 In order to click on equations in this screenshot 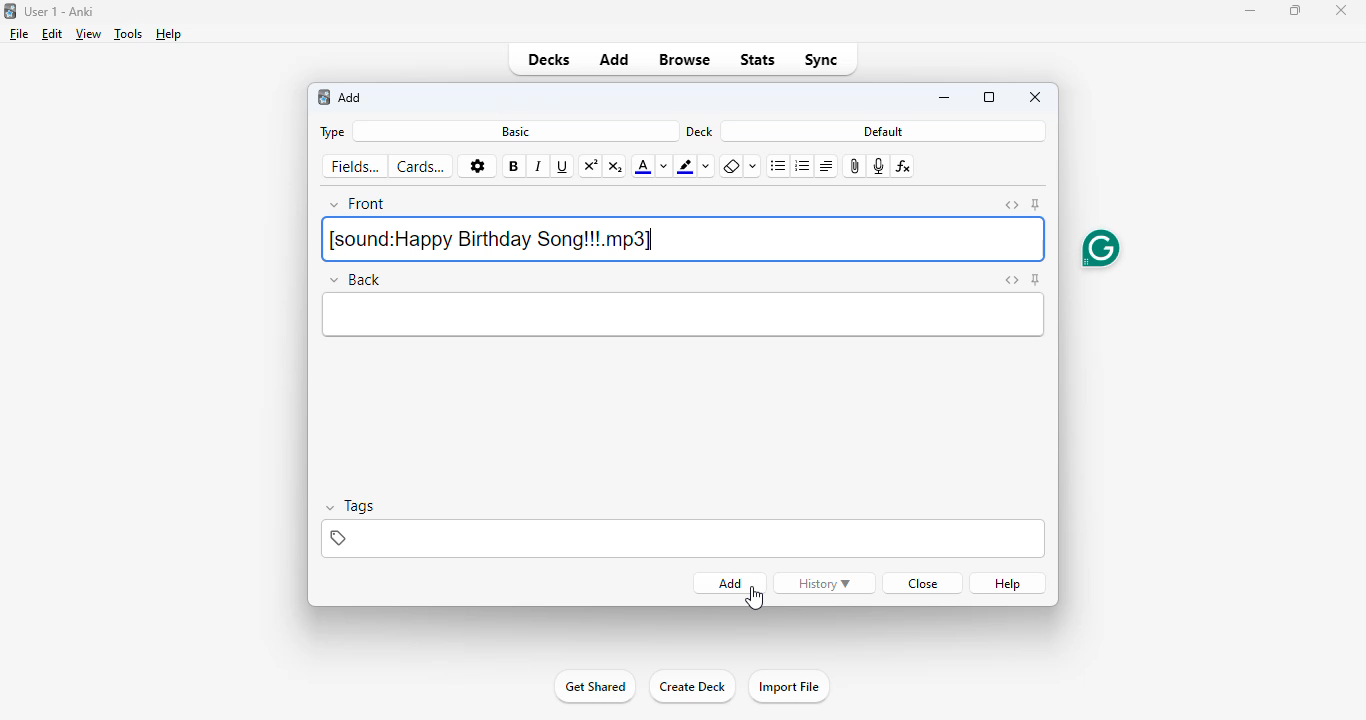, I will do `click(903, 167)`.